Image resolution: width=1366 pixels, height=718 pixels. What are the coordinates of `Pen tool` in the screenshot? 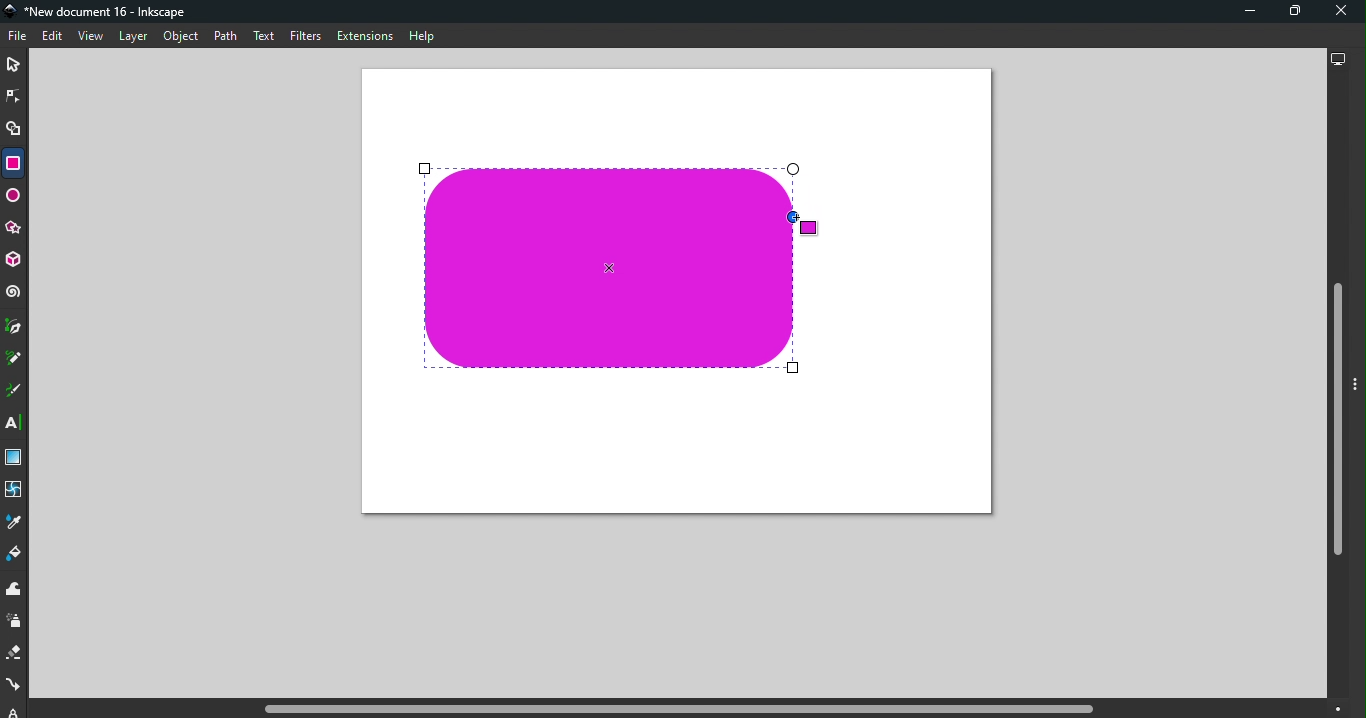 It's located at (15, 327).